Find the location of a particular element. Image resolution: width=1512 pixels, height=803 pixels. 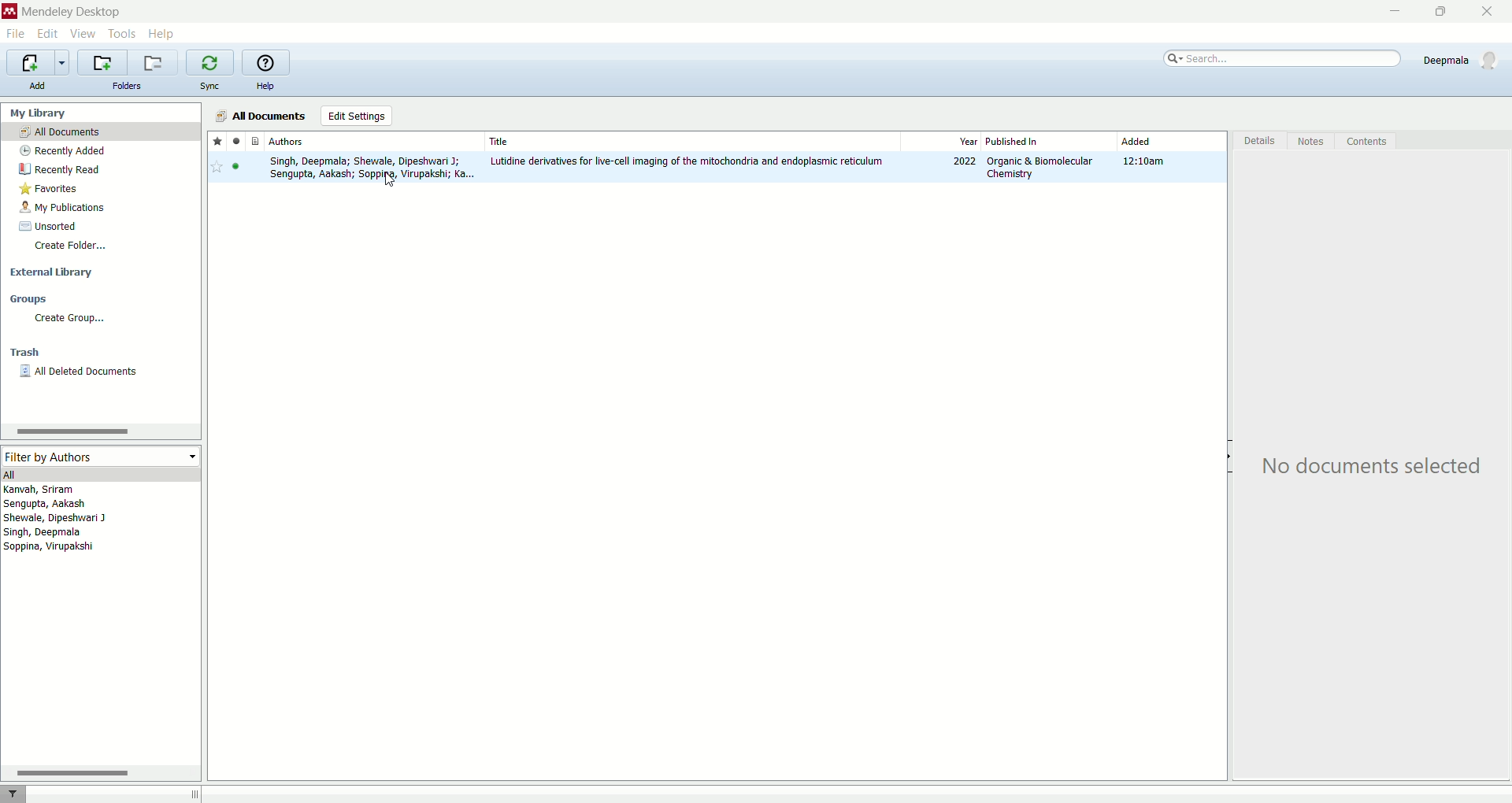

help is located at coordinates (164, 35).